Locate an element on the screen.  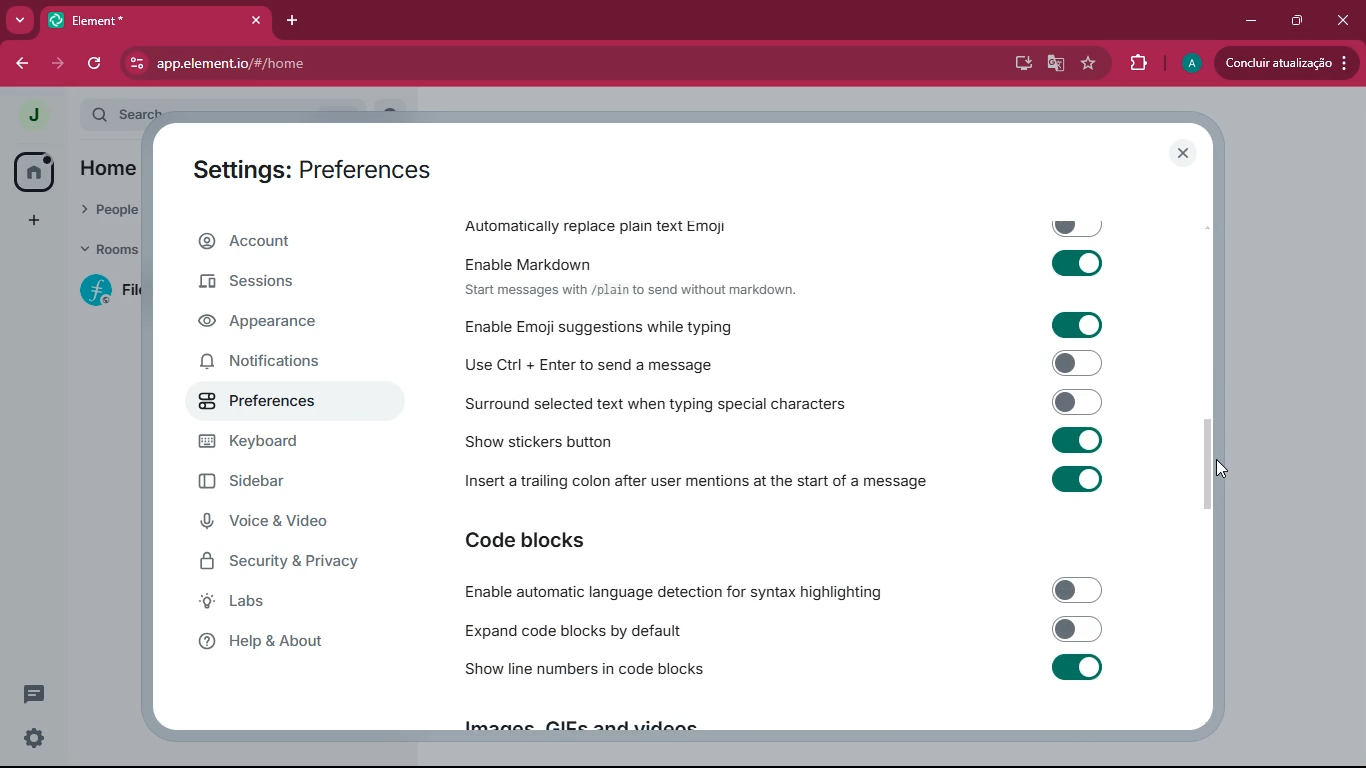
forward is located at coordinates (61, 64).